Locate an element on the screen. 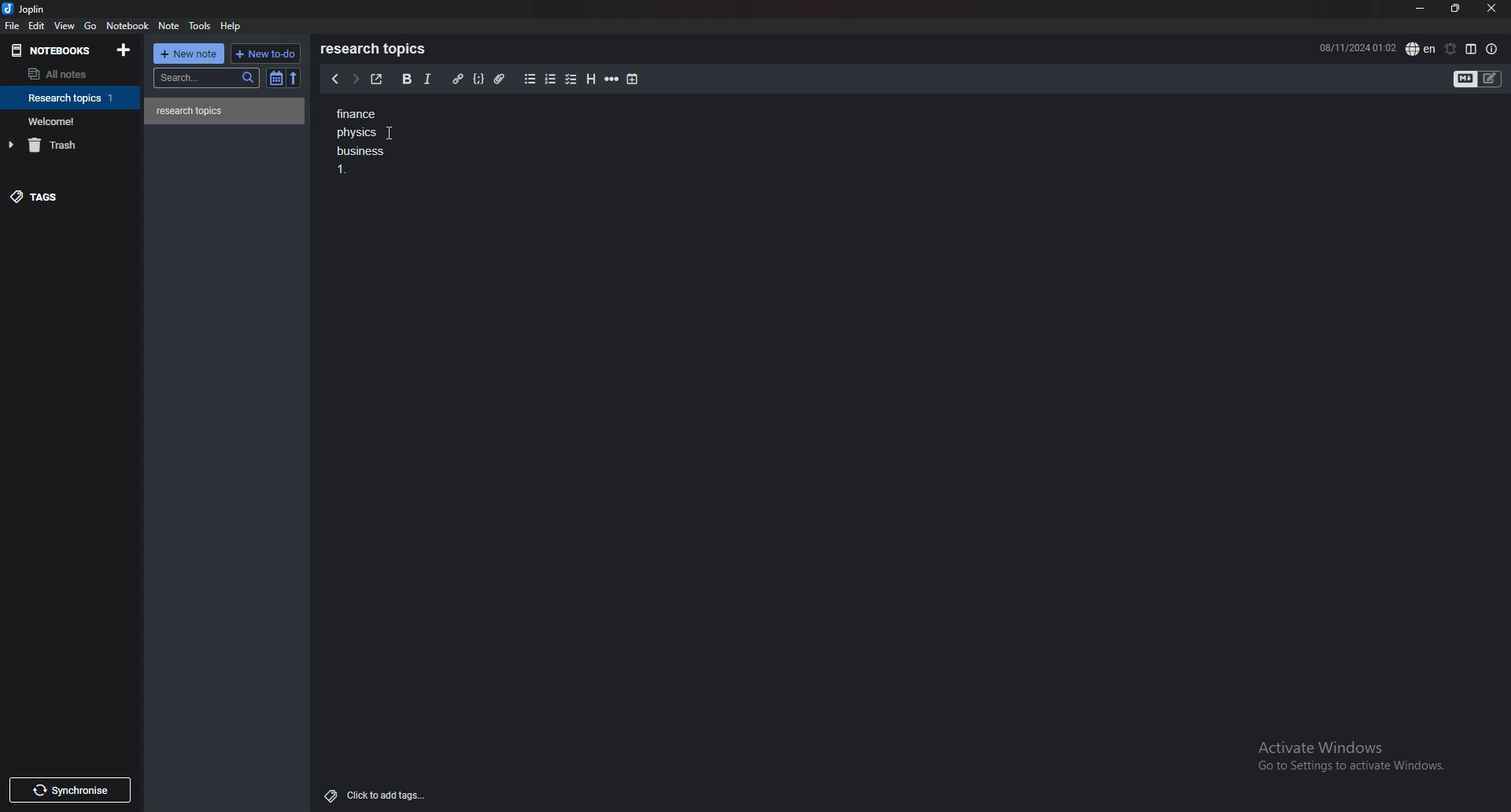  close is located at coordinates (1491, 9).